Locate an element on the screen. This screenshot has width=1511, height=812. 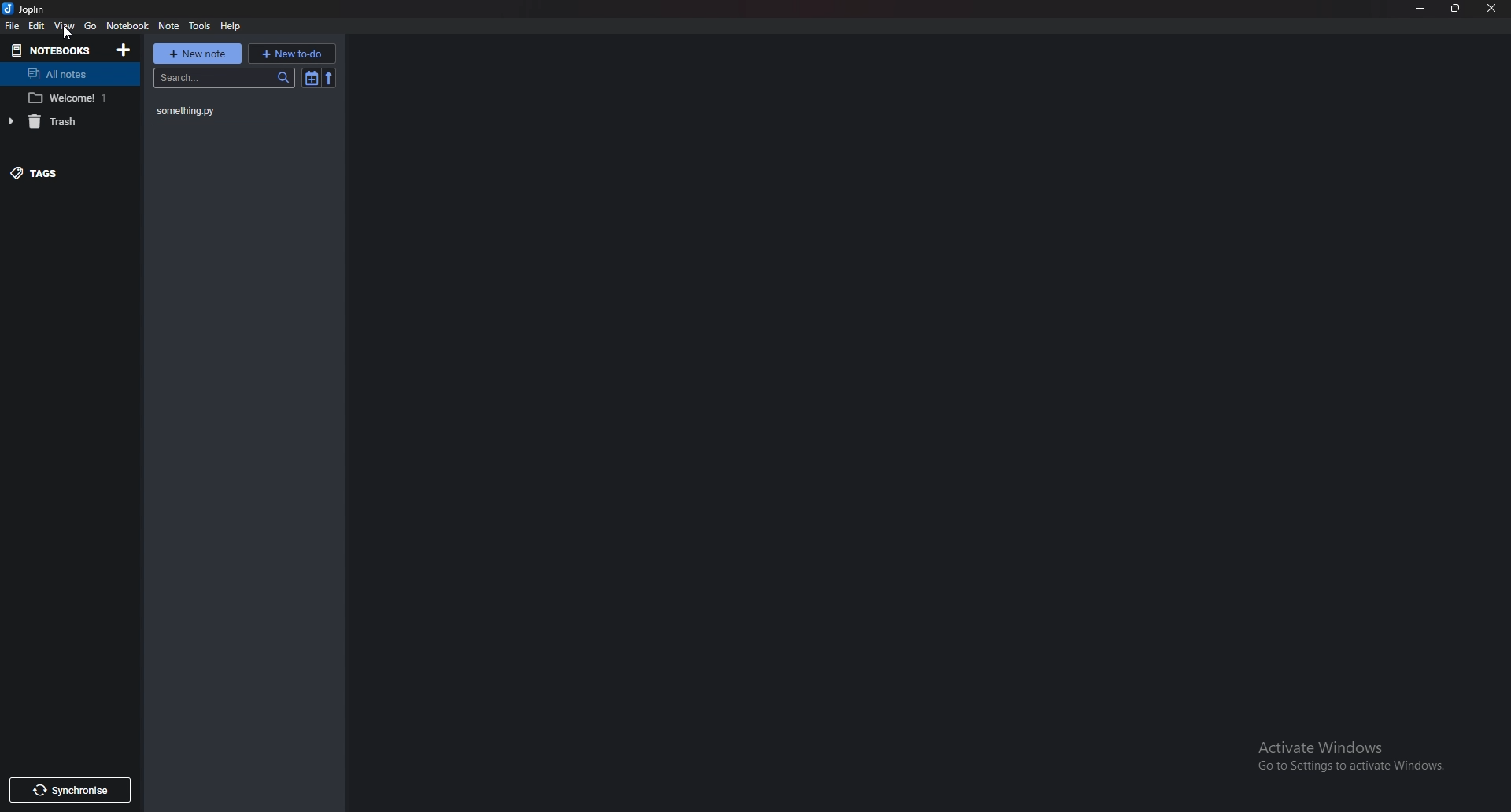
help is located at coordinates (235, 25).